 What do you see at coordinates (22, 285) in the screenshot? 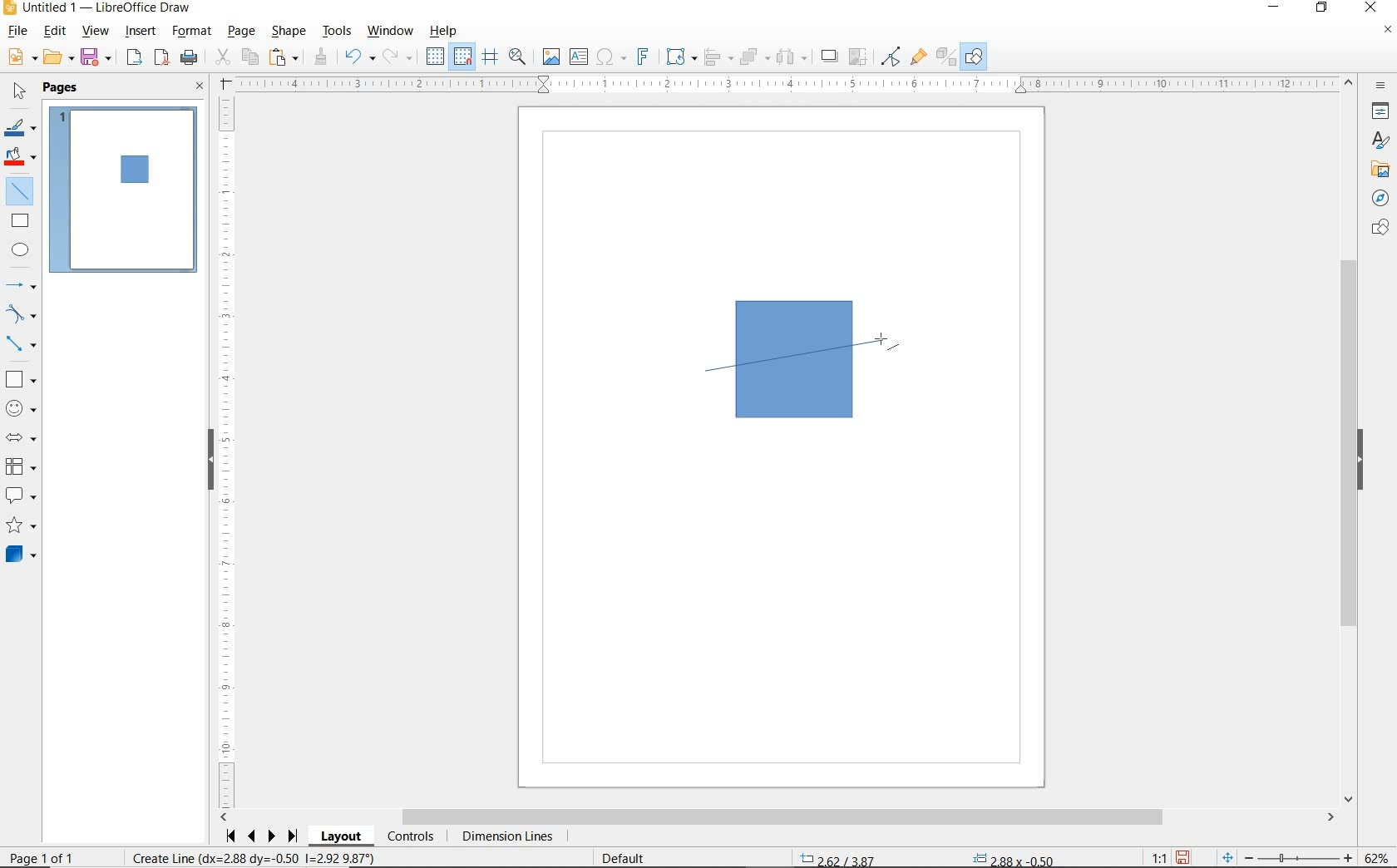
I see `LINES AND ARROWS` at bounding box center [22, 285].